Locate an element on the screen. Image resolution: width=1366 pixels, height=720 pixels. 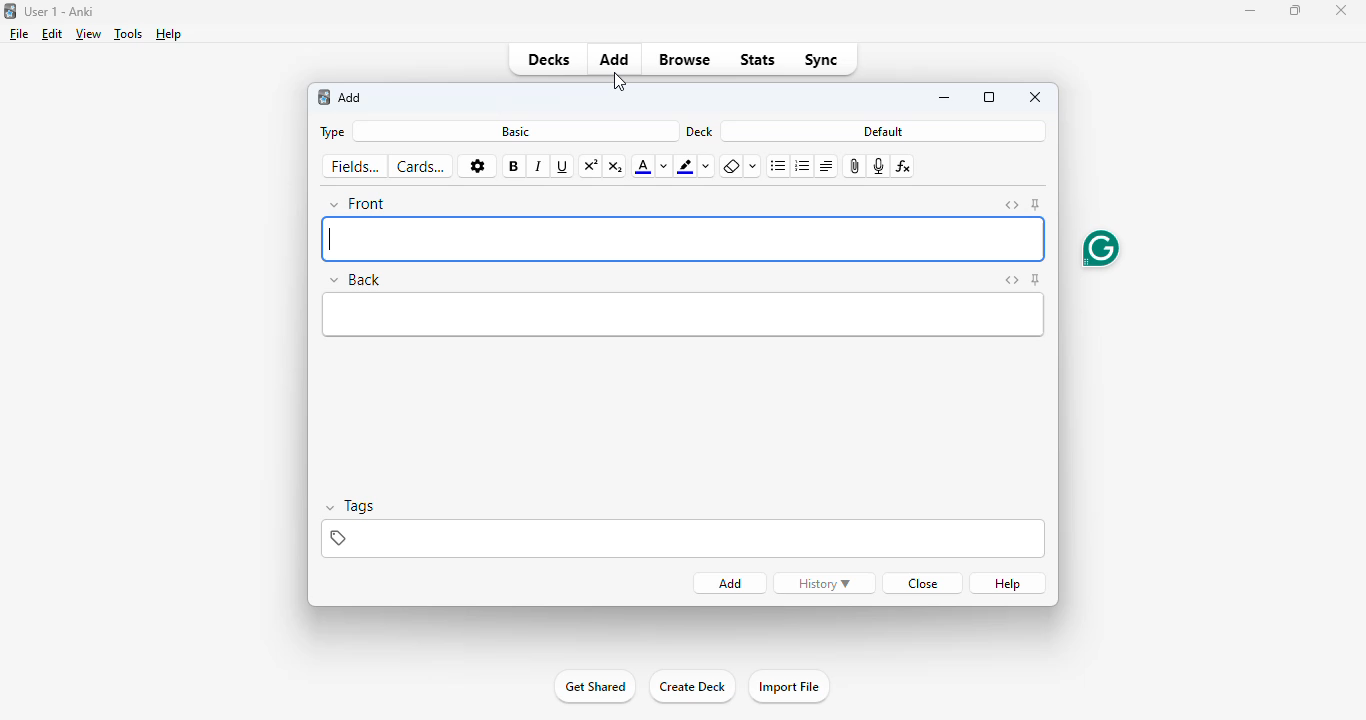
stats is located at coordinates (758, 61).